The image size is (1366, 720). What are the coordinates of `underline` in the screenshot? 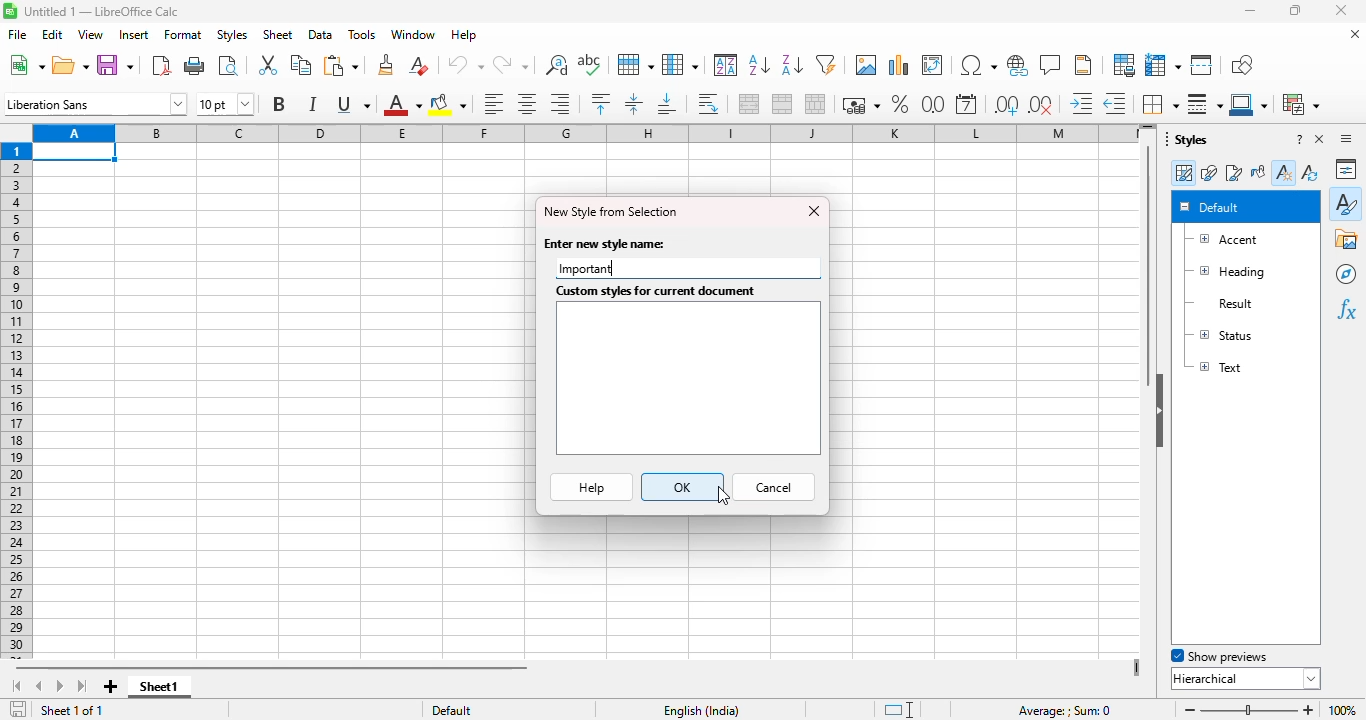 It's located at (353, 105).